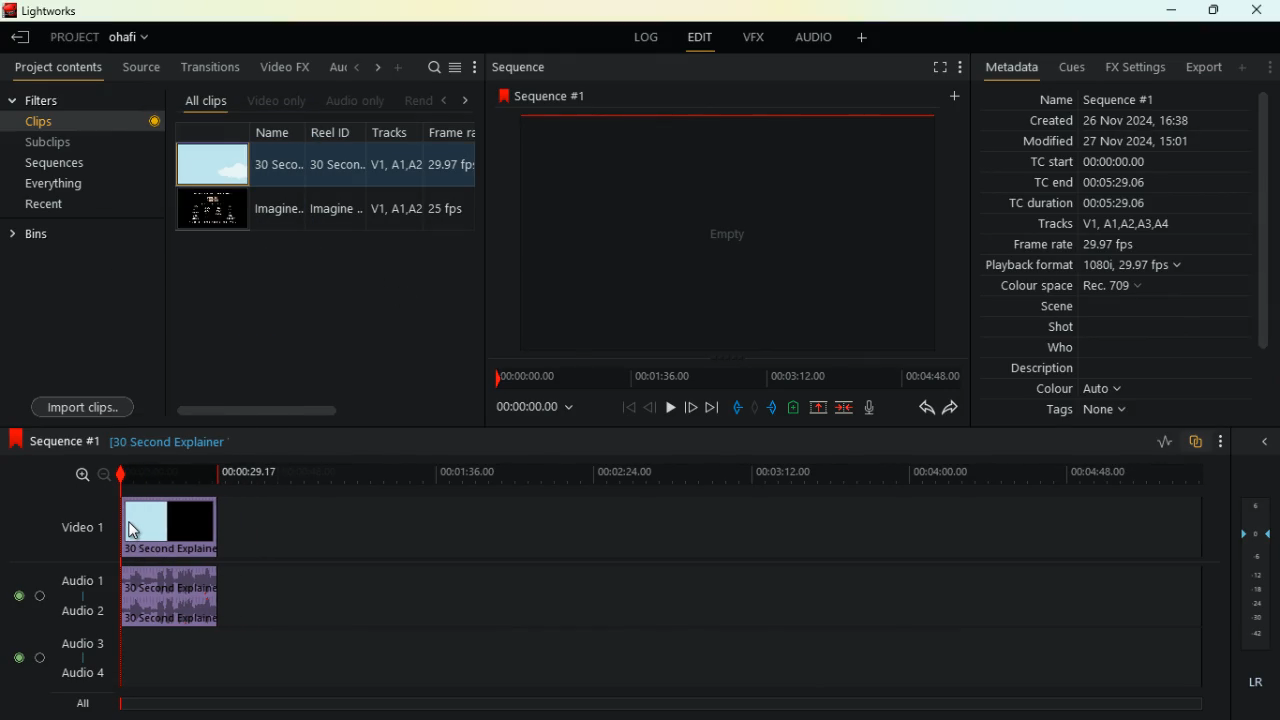  Describe the element at coordinates (40, 658) in the screenshot. I see `toggle` at that location.